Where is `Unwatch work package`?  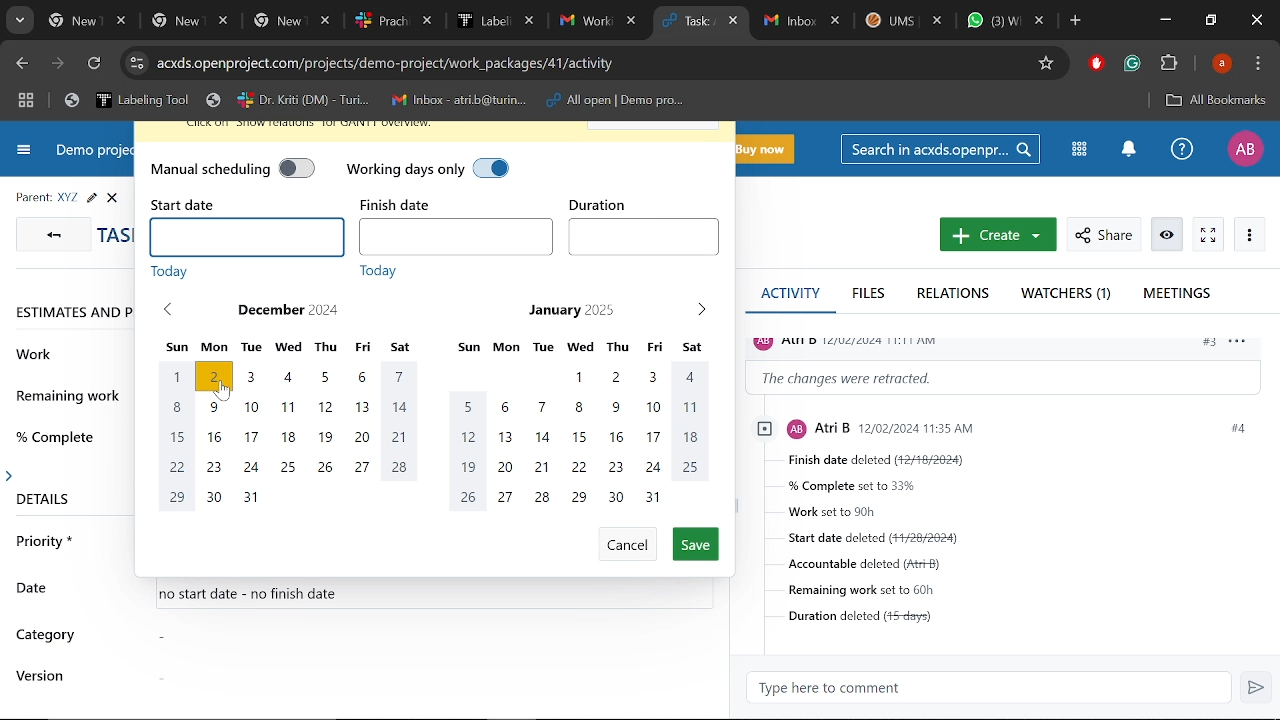
Unwatch work package is located at coordinates (1169, 235).